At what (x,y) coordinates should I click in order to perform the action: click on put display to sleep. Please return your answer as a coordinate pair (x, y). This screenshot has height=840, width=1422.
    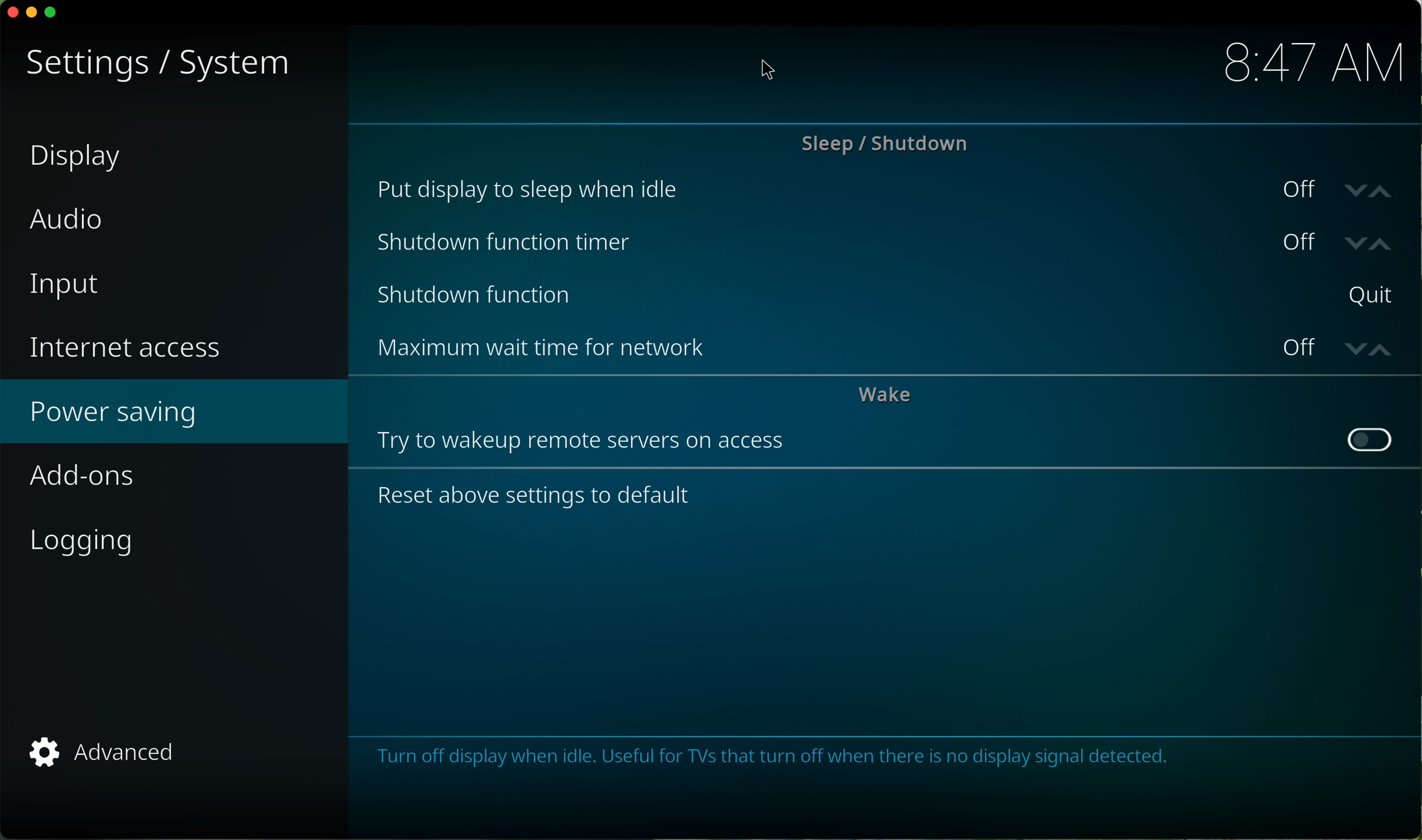
    Looking at the image, I should click on (536, 191).